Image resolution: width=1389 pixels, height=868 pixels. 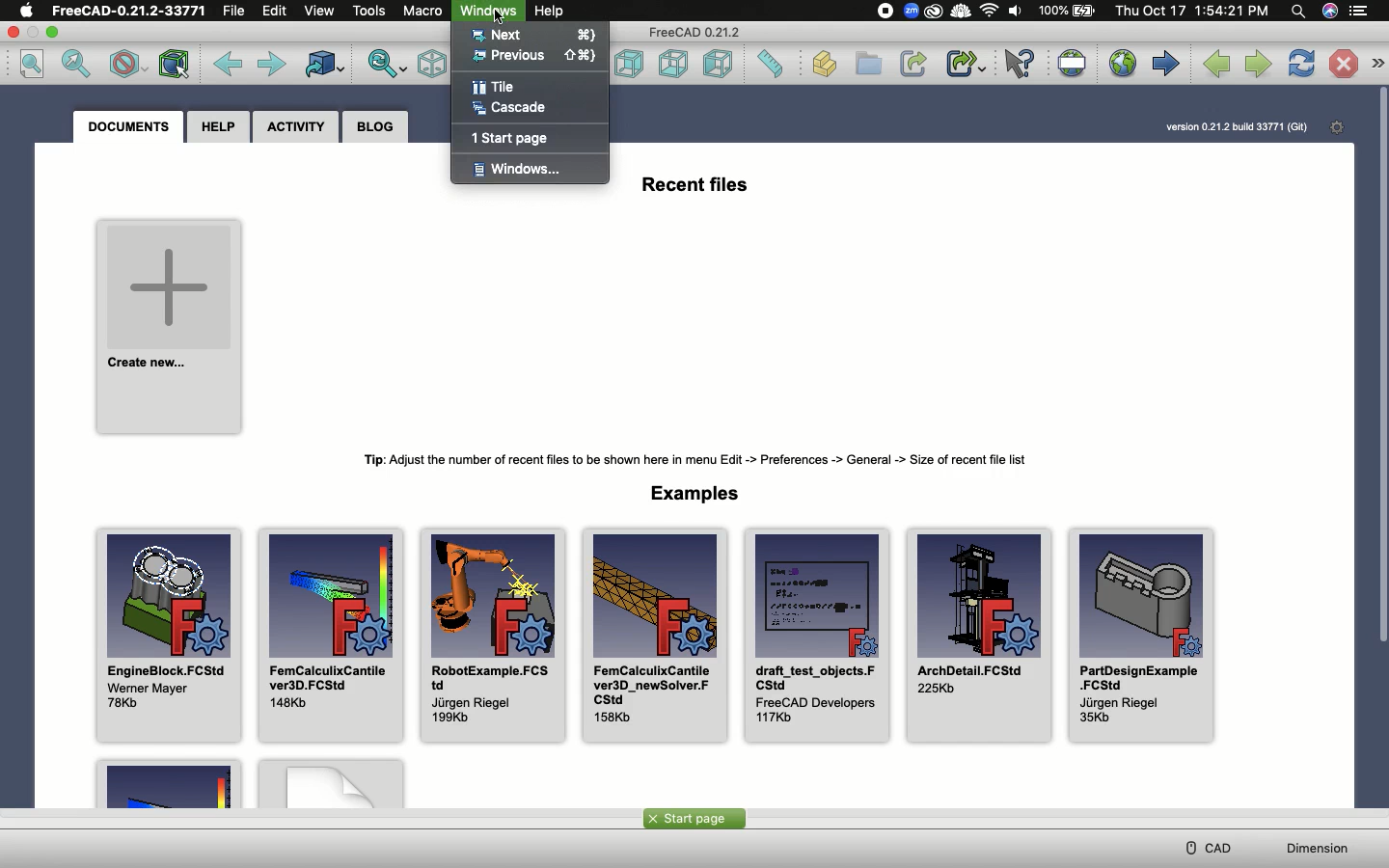 What do you see at coordinates (1122, 65) in the screenshot?
I see `Open website` at bounding box center [1122, 65].